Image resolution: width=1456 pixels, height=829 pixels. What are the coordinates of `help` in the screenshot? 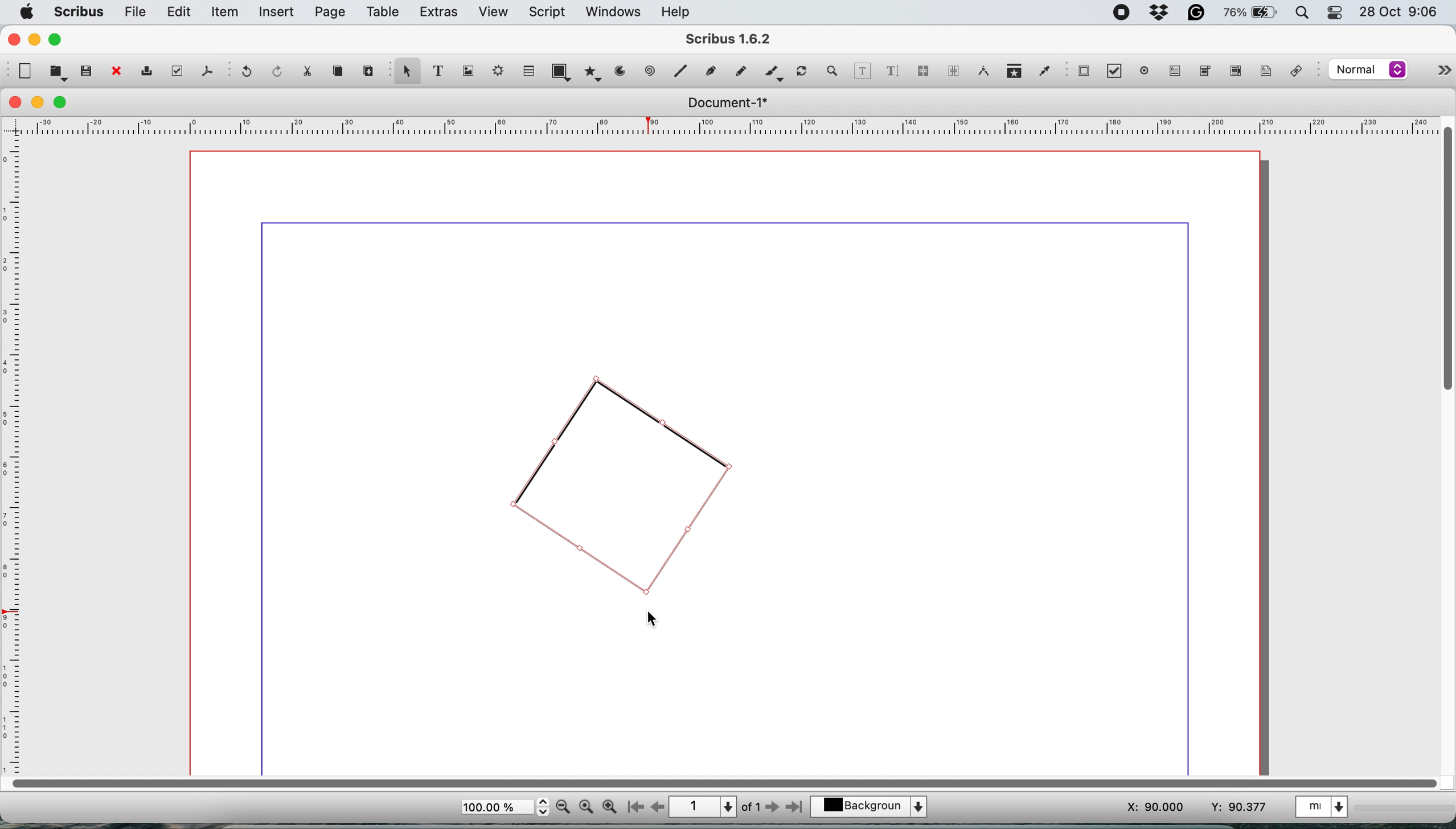 It's located at (680, 11).